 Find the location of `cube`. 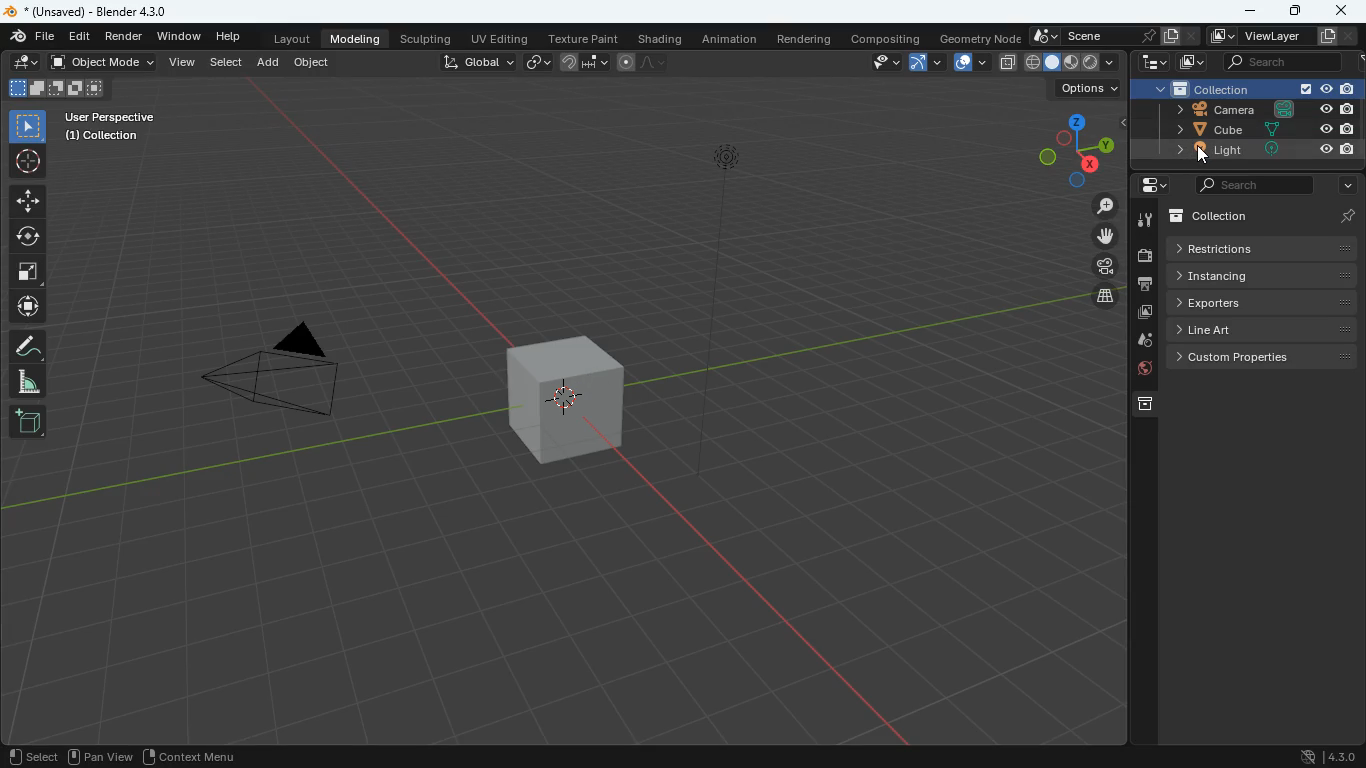

cube is located at coordinates (1251, 129).